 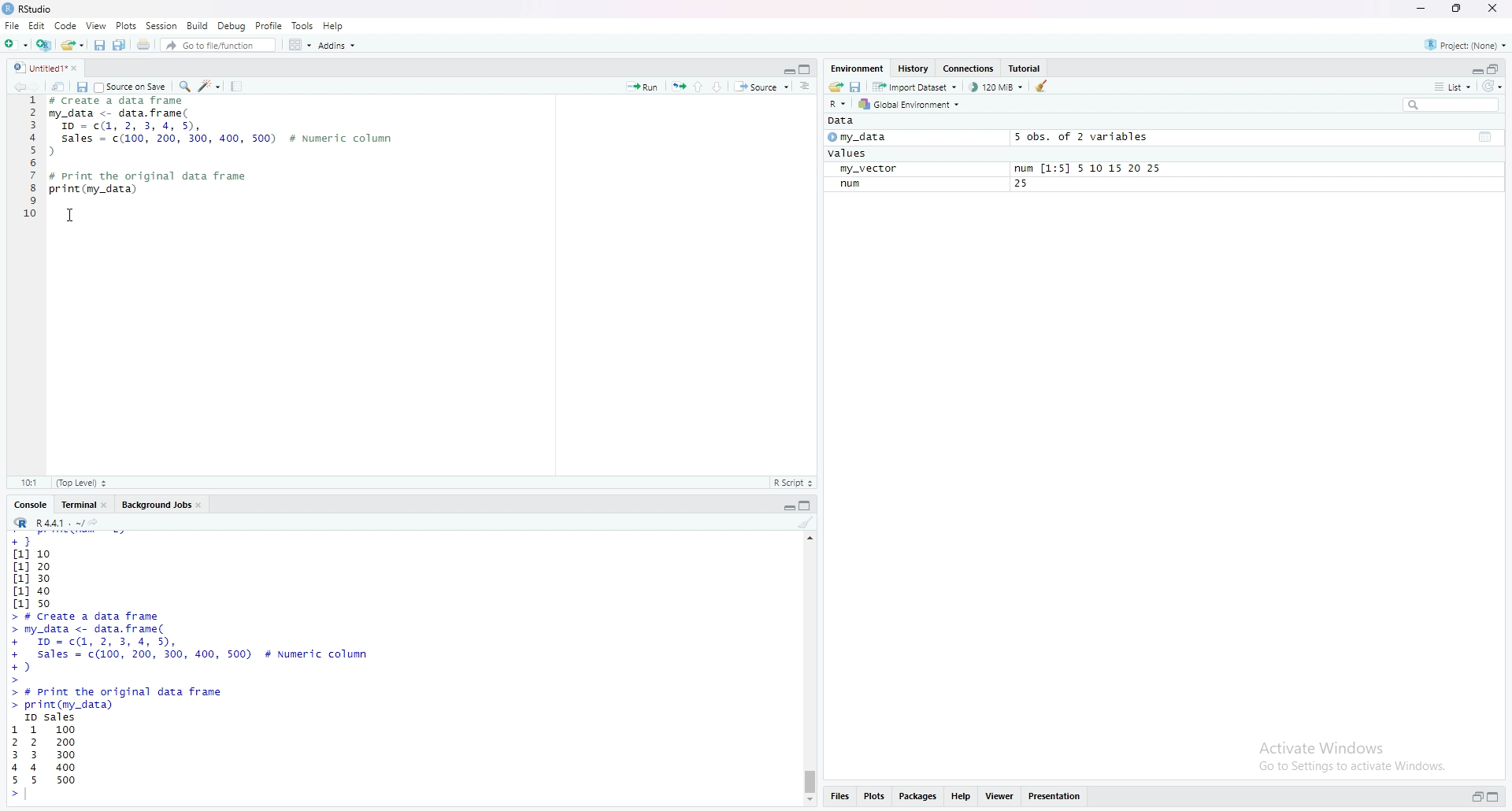 I want to click on compile report, so click(x=238, y=87).